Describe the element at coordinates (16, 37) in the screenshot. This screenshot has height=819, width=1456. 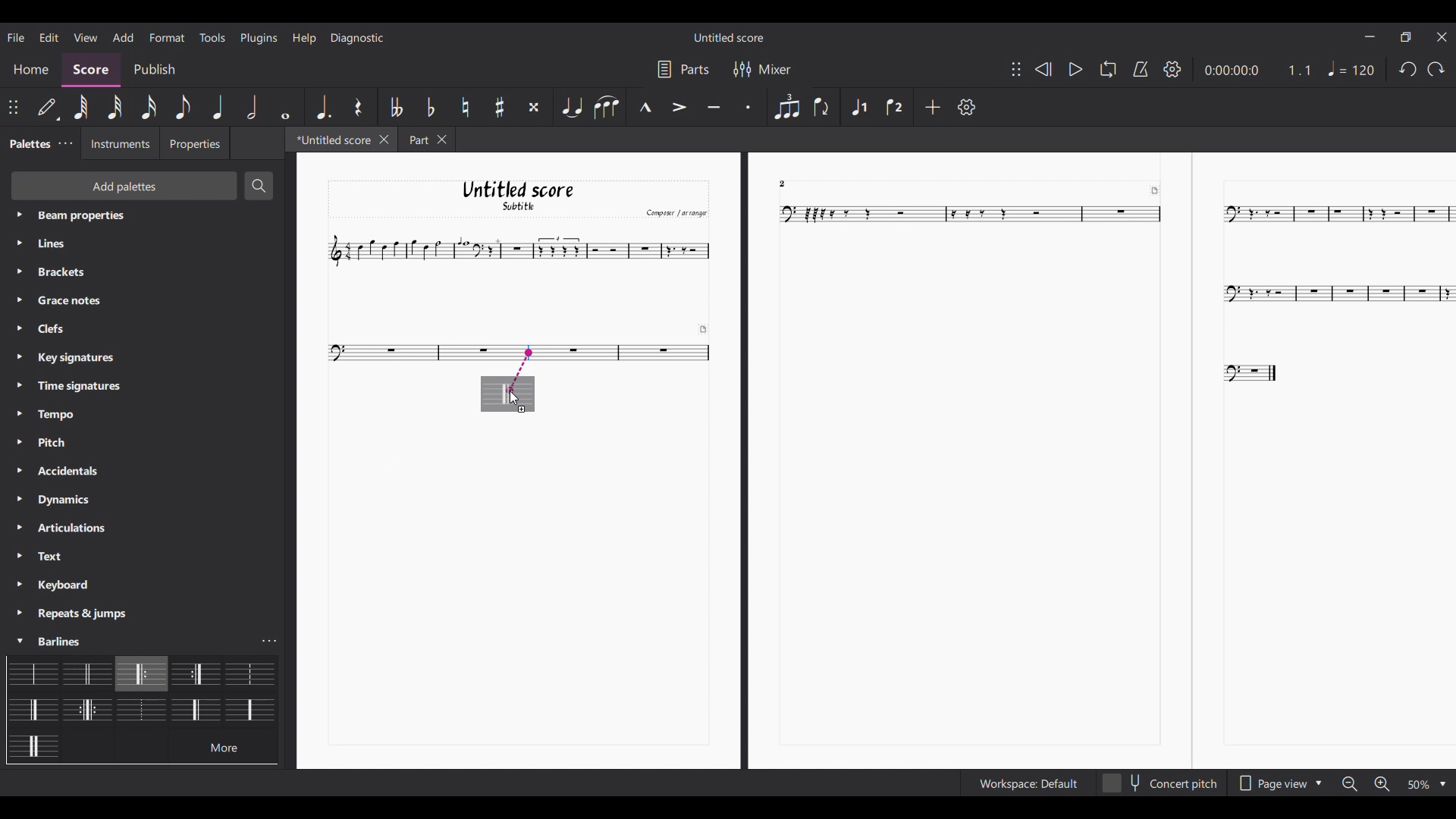
I see `File menu ` at that location.